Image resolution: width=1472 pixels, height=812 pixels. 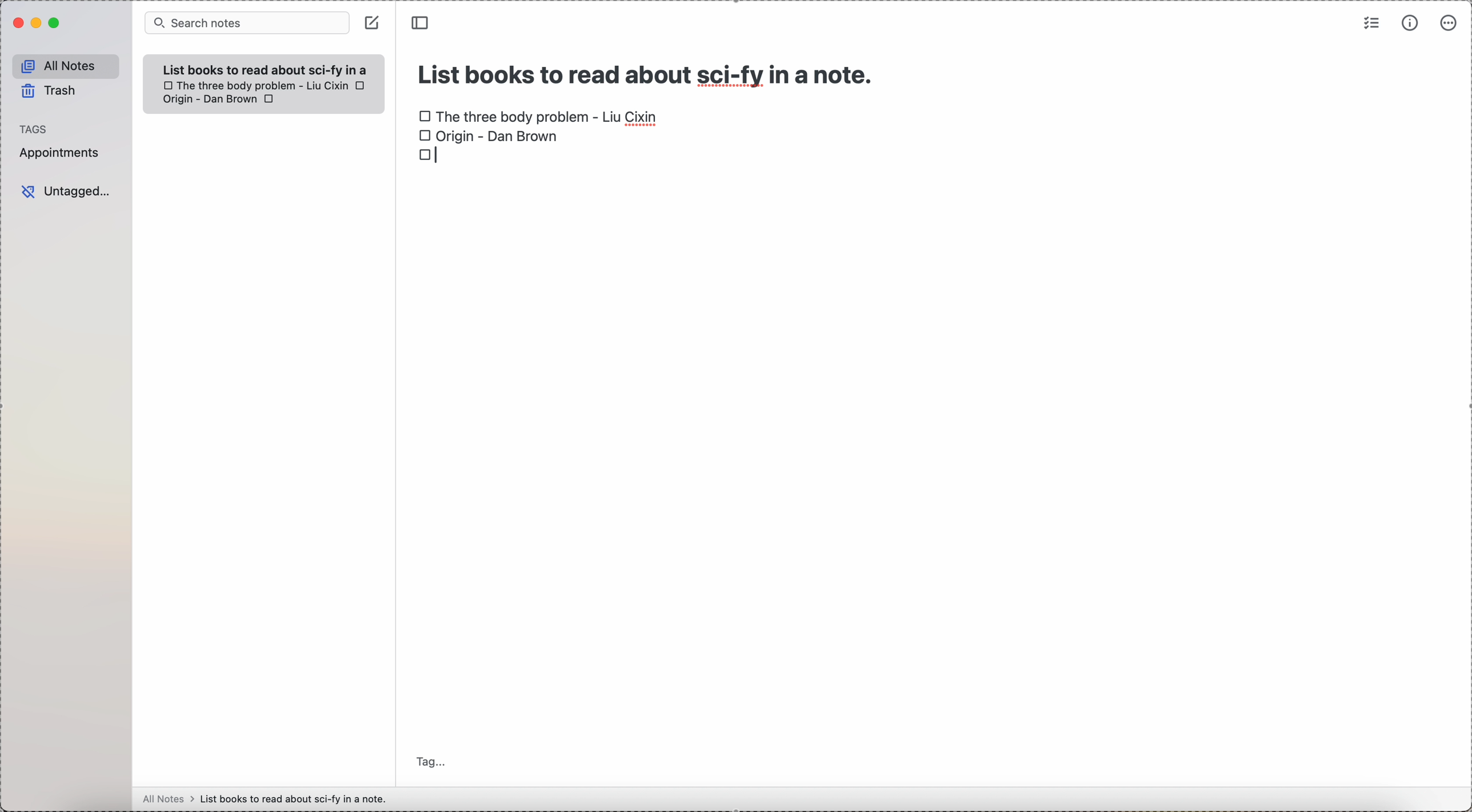 What do you see at coordinates (425, 153) in the screenshot?
I see `checkbox` at bounding box center [425, 153].